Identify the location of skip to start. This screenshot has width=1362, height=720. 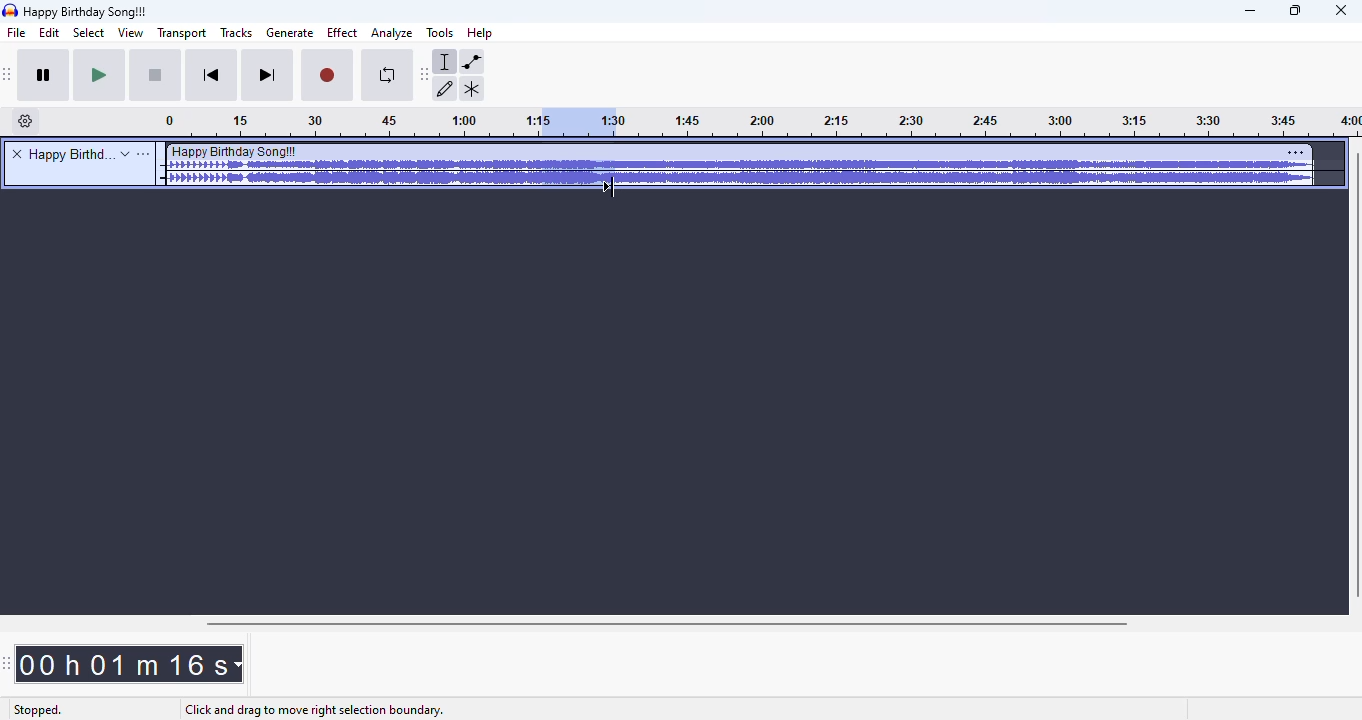
(214, 76).